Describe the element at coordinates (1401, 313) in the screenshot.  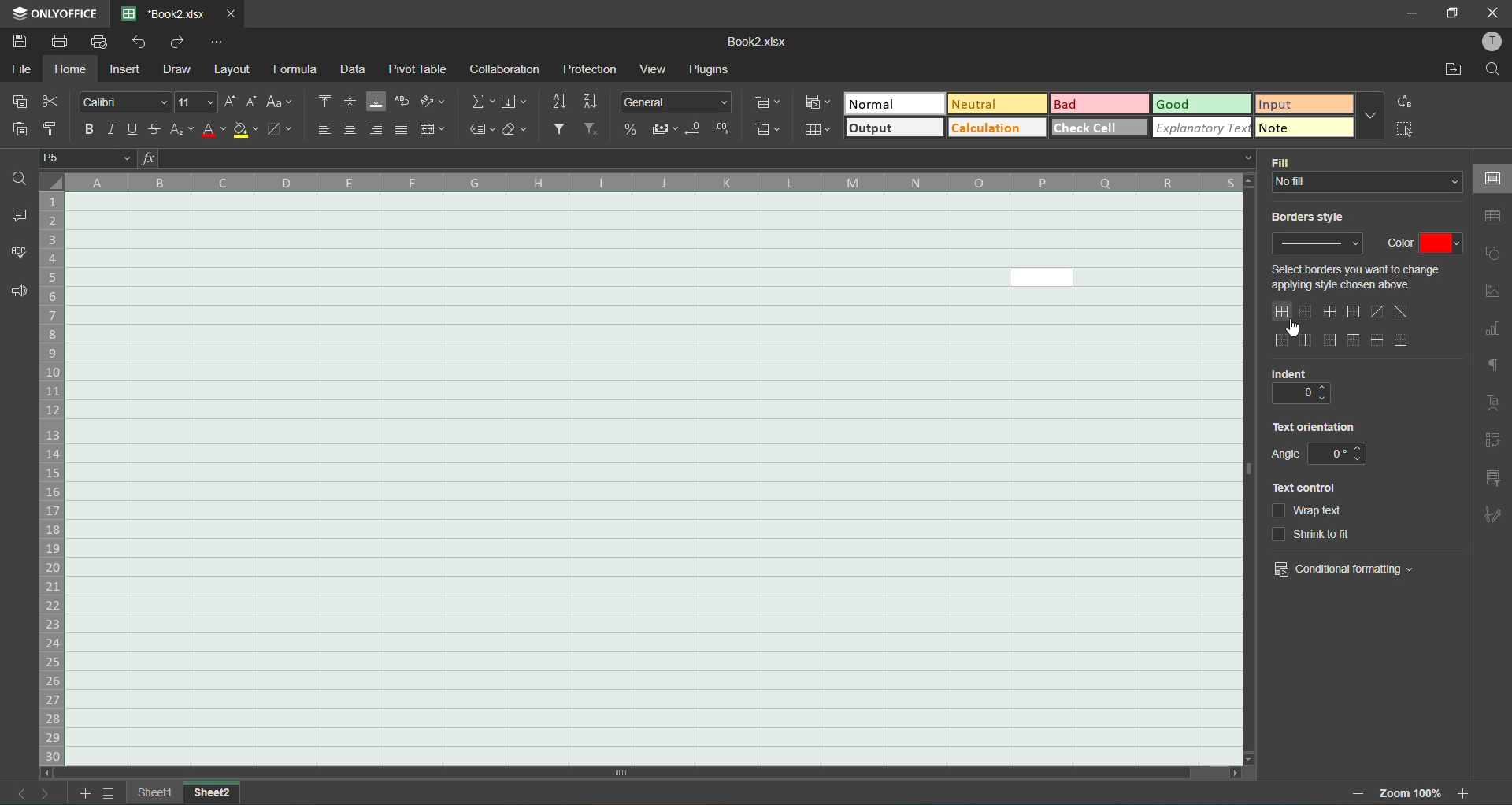
I see `set diagonal down border` at that location.